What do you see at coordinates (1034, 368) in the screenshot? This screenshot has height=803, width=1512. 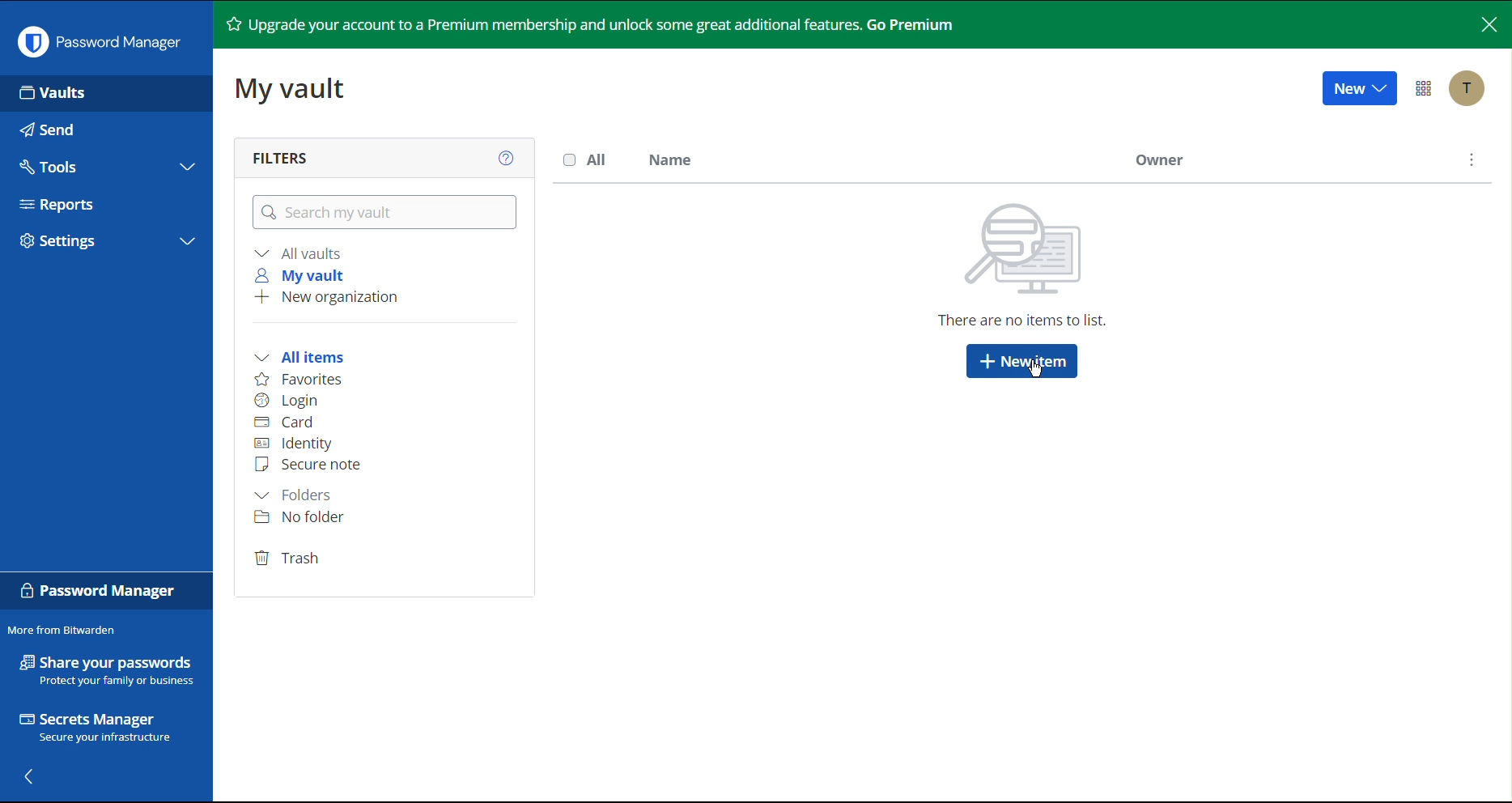 I see `Cursor` at bounding box center [1034, 368].